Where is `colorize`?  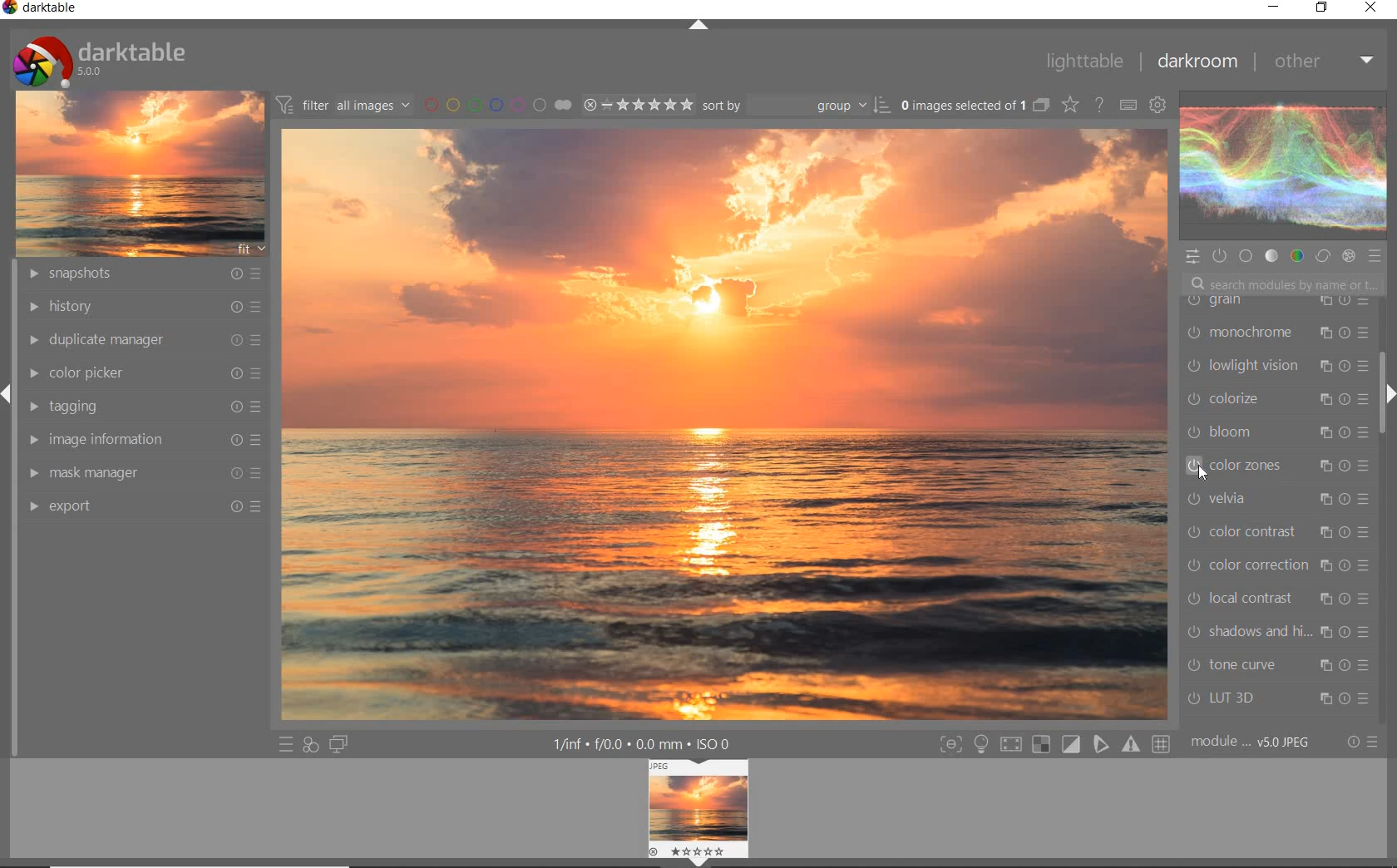 colorize is located at coordinates (1277, 401).